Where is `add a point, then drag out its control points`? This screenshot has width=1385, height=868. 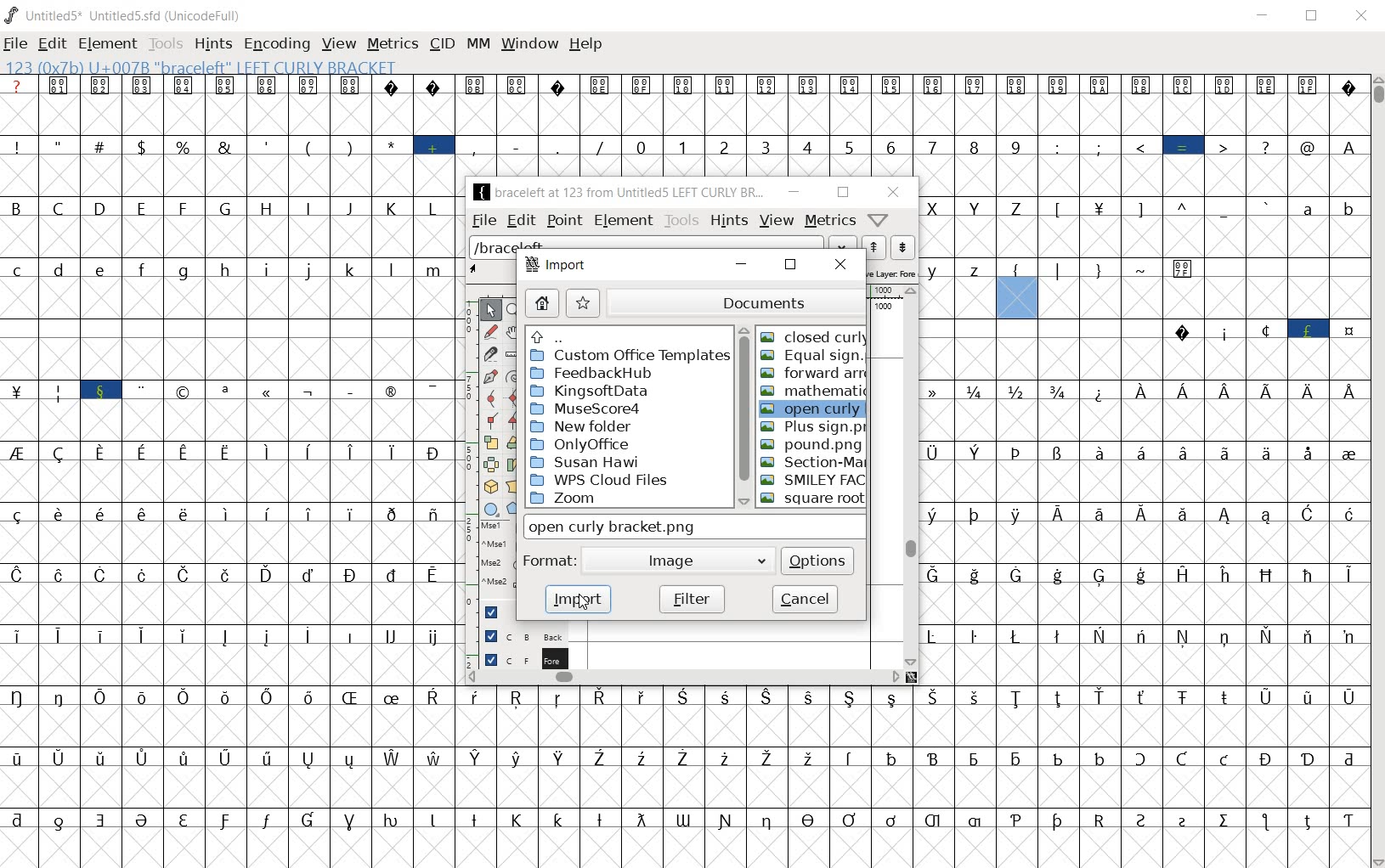
add a point, then drag out its control points is located at coordinates (487, 376).